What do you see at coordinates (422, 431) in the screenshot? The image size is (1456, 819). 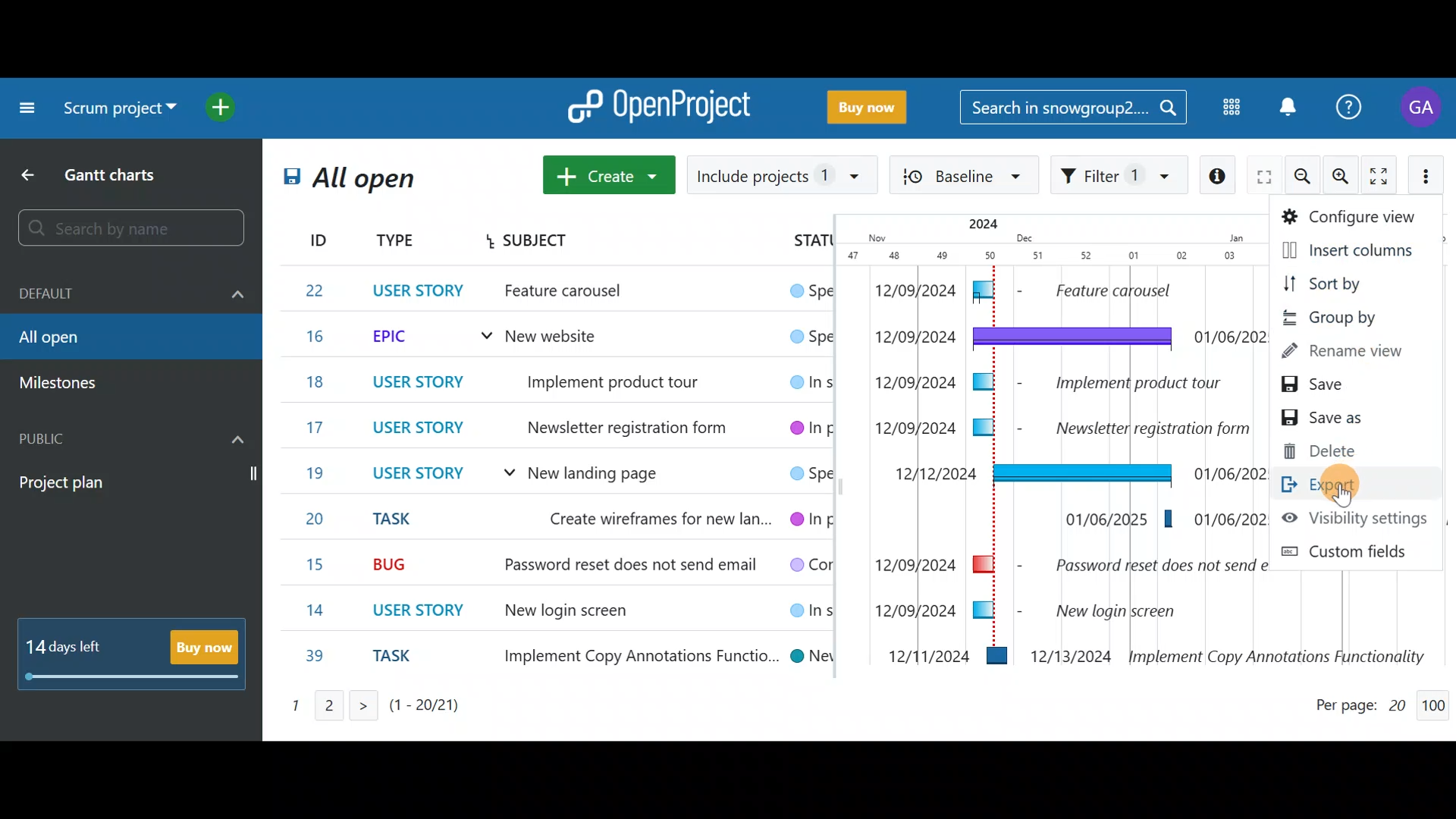 I see `USER STORY` at bounding box center [422, 431].